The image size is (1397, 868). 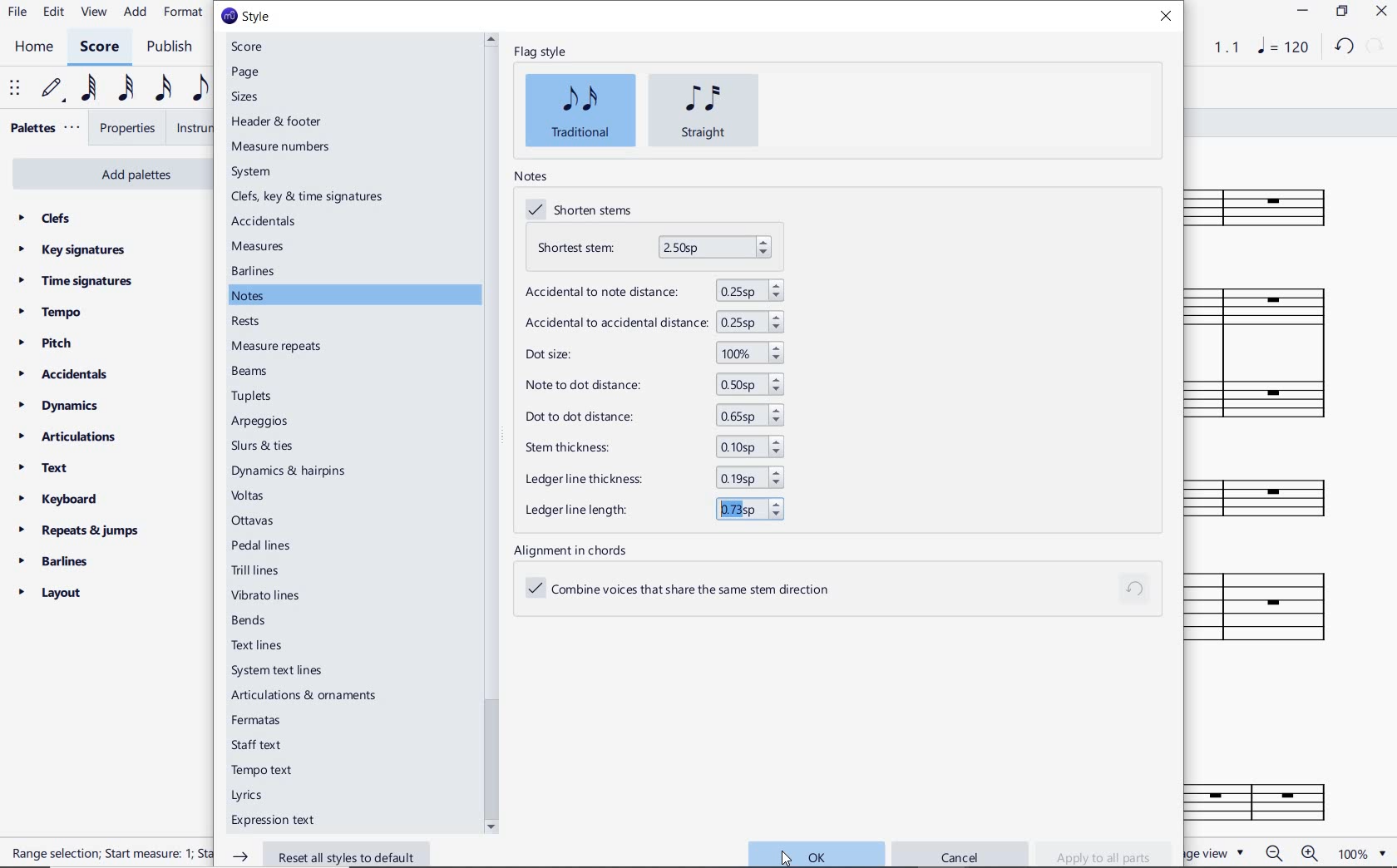 What do you see at coordinates (43, 131) in the screenshot?
I see `palettes` at bounding box center [43, 131].